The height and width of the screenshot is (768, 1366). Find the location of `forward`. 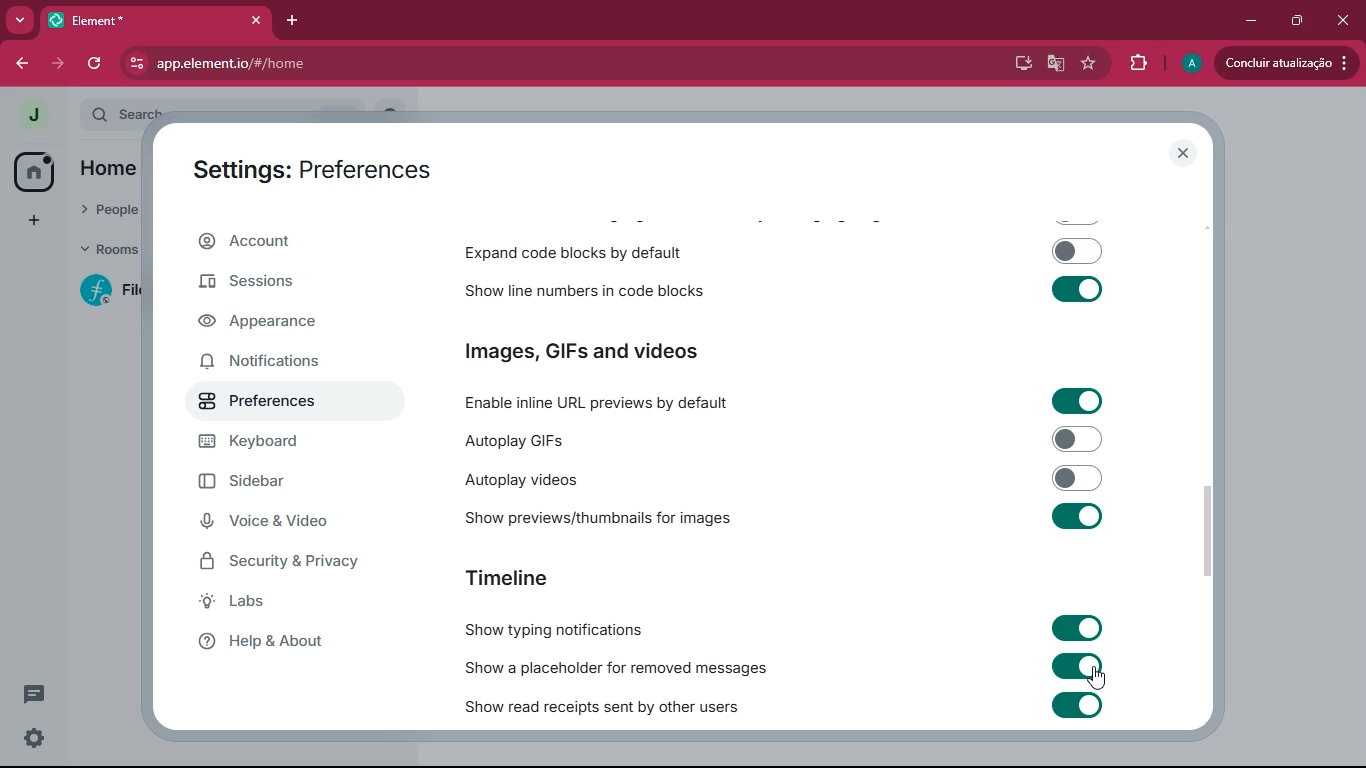

forward is located at coordinates (56, 63).